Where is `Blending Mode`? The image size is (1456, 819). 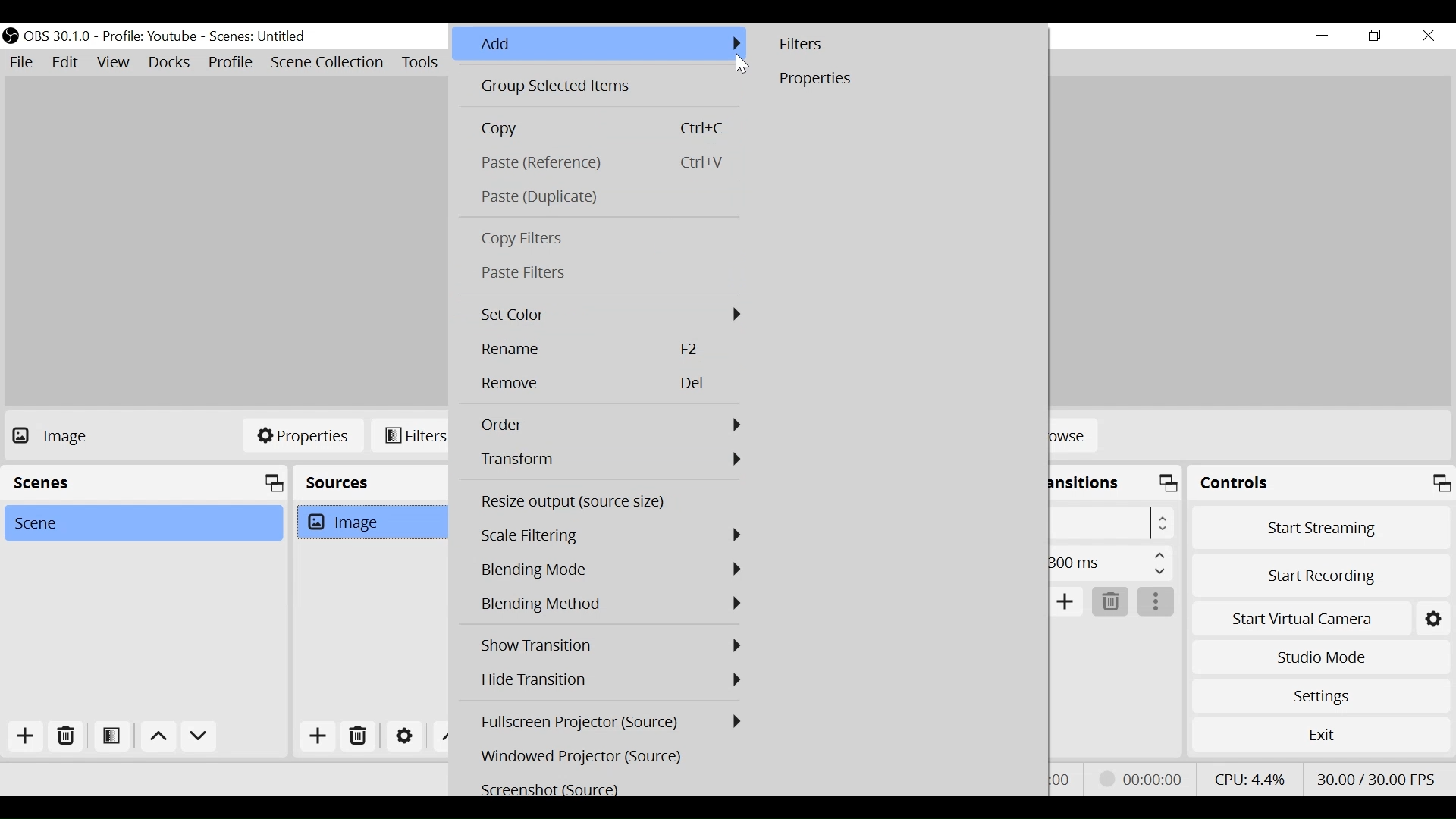 Blending Mode is located at coordinates (615, 570).